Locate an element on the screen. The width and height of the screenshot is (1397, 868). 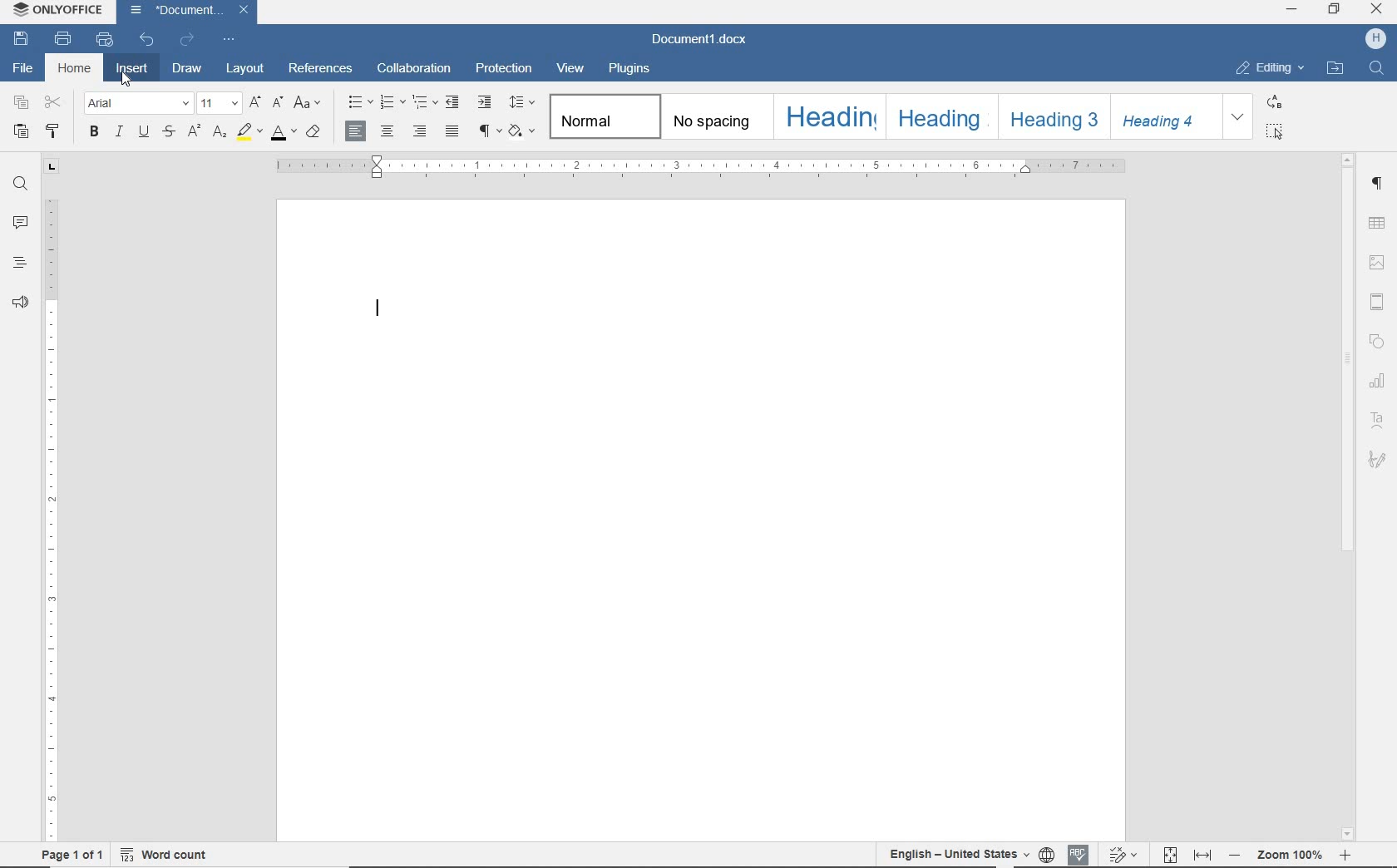
select all is located at coordinates (1278, 131).